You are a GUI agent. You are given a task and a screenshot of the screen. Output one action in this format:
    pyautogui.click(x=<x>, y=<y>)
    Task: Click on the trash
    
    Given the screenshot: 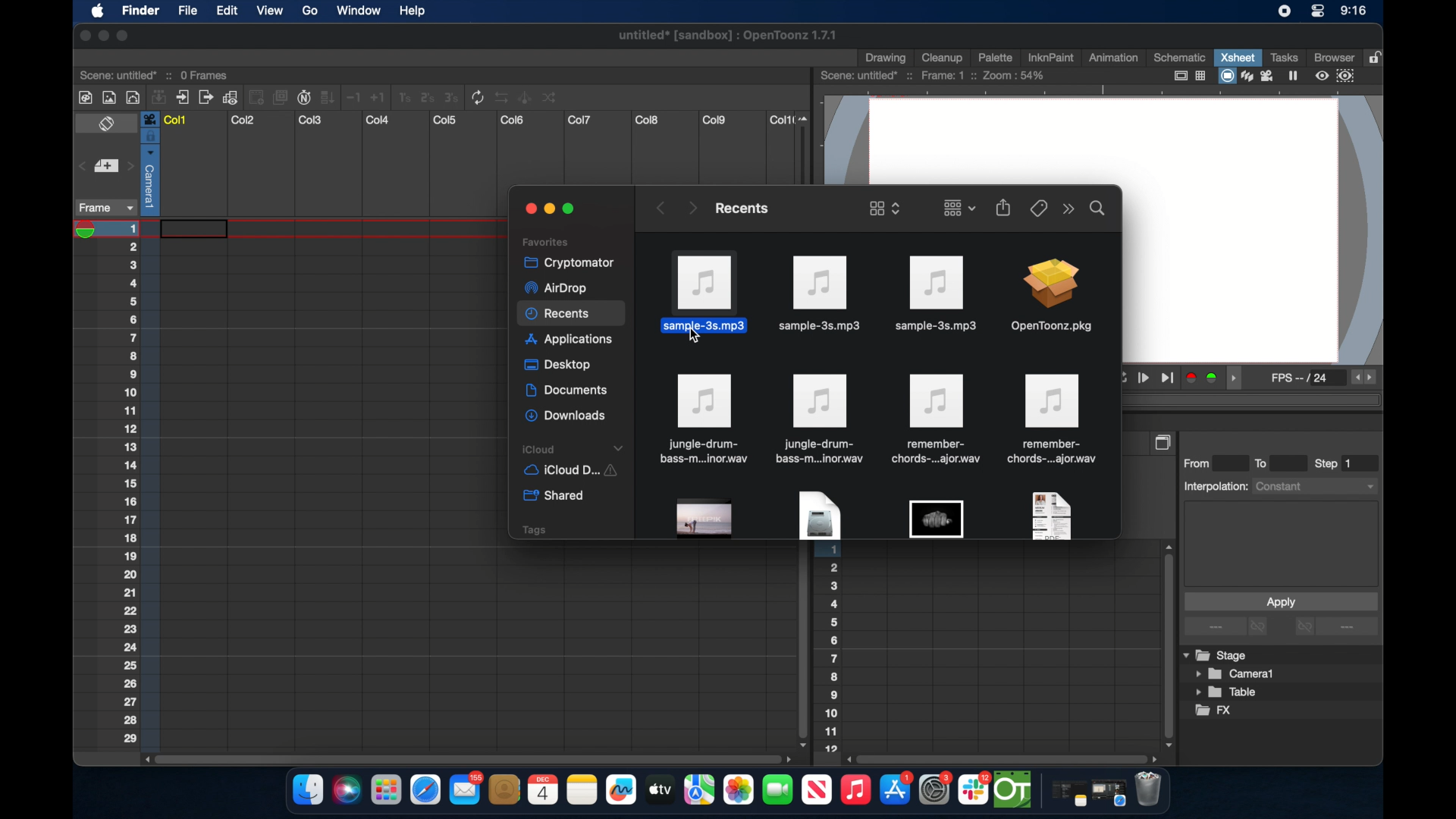 What is the action you would take?
    pyautogui.click(x=1148, y=791)
    